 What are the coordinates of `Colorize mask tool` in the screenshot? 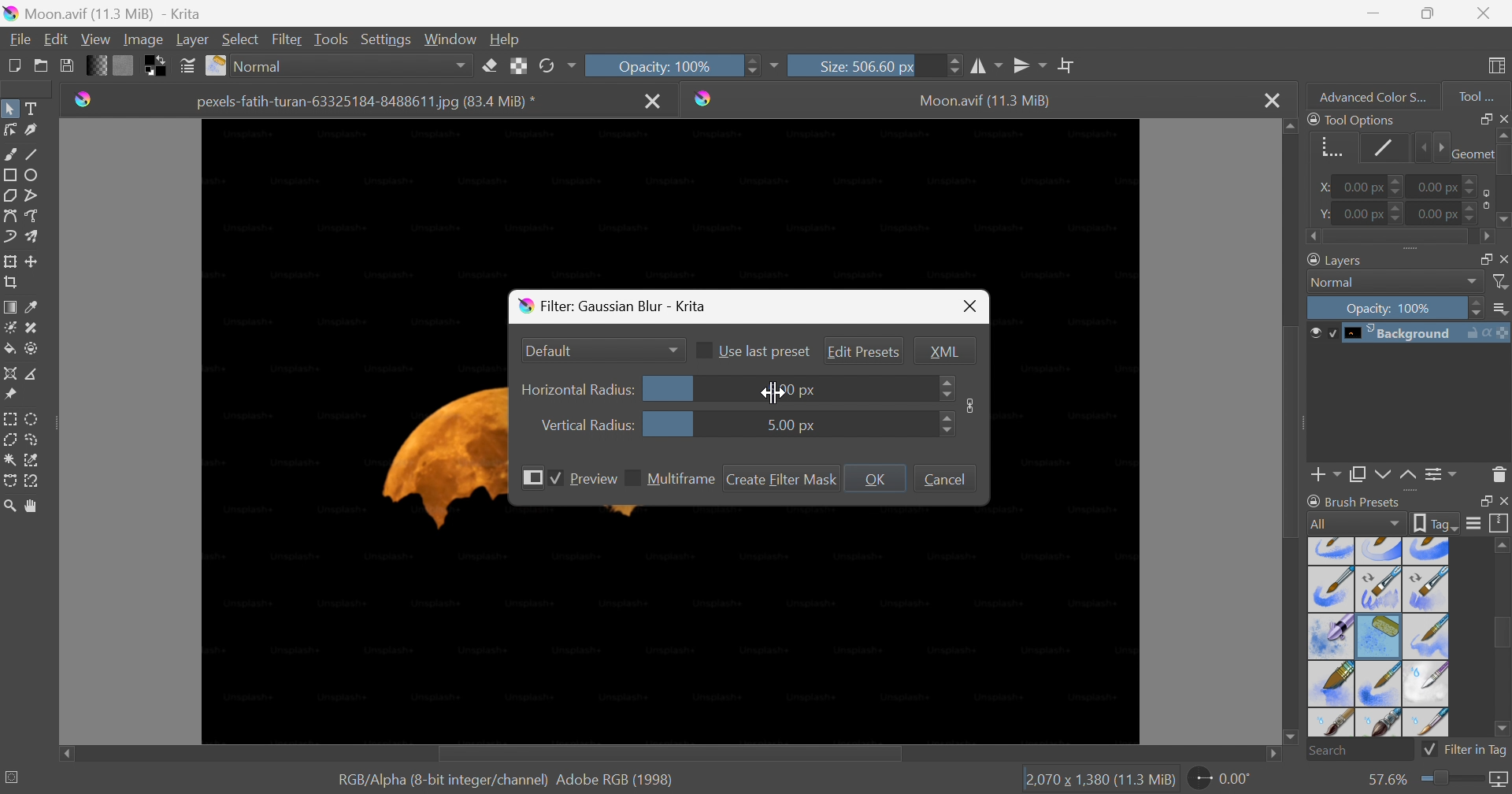 It's located at (9, 328).